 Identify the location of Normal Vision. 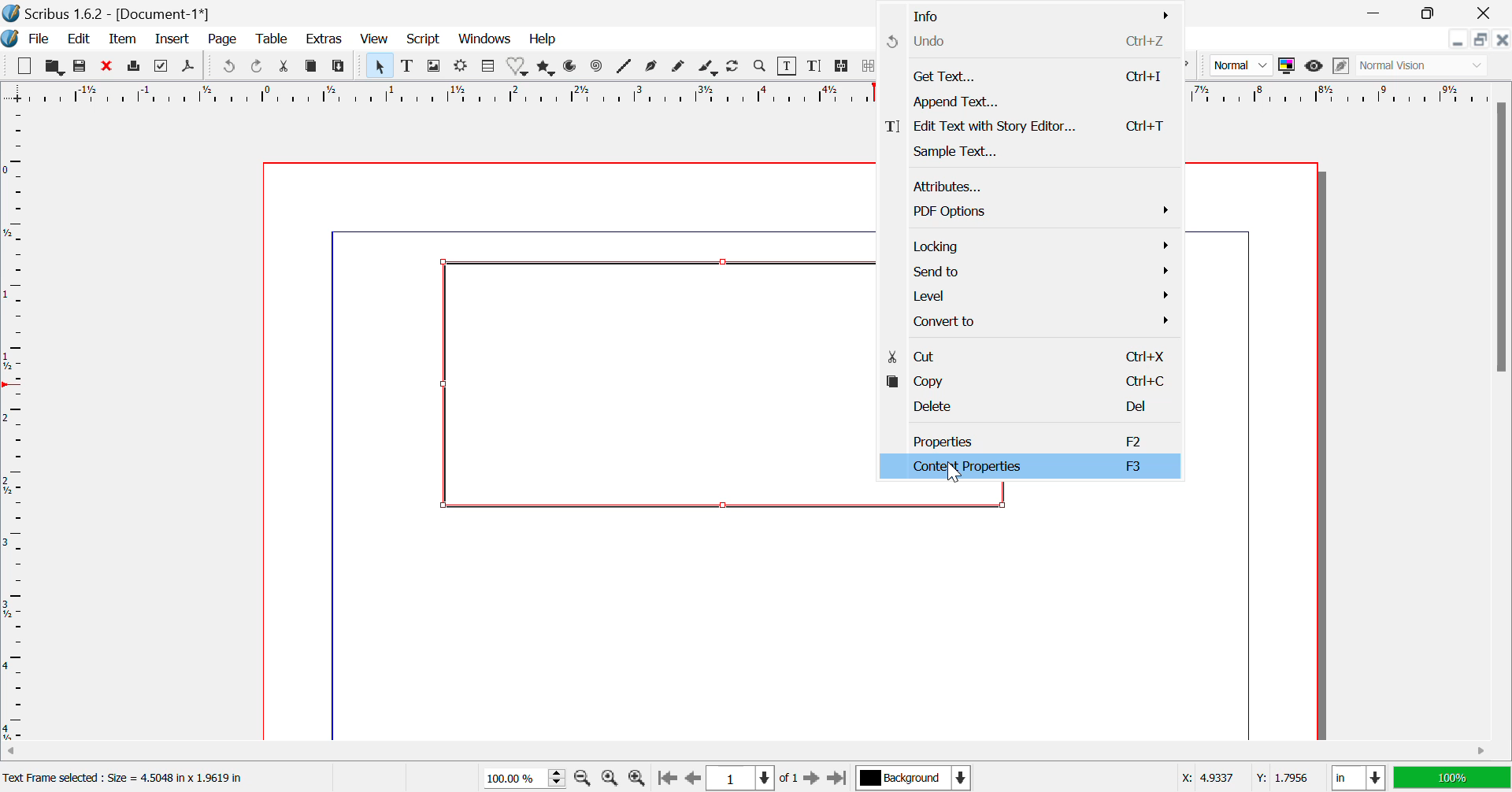
(1425, 67).